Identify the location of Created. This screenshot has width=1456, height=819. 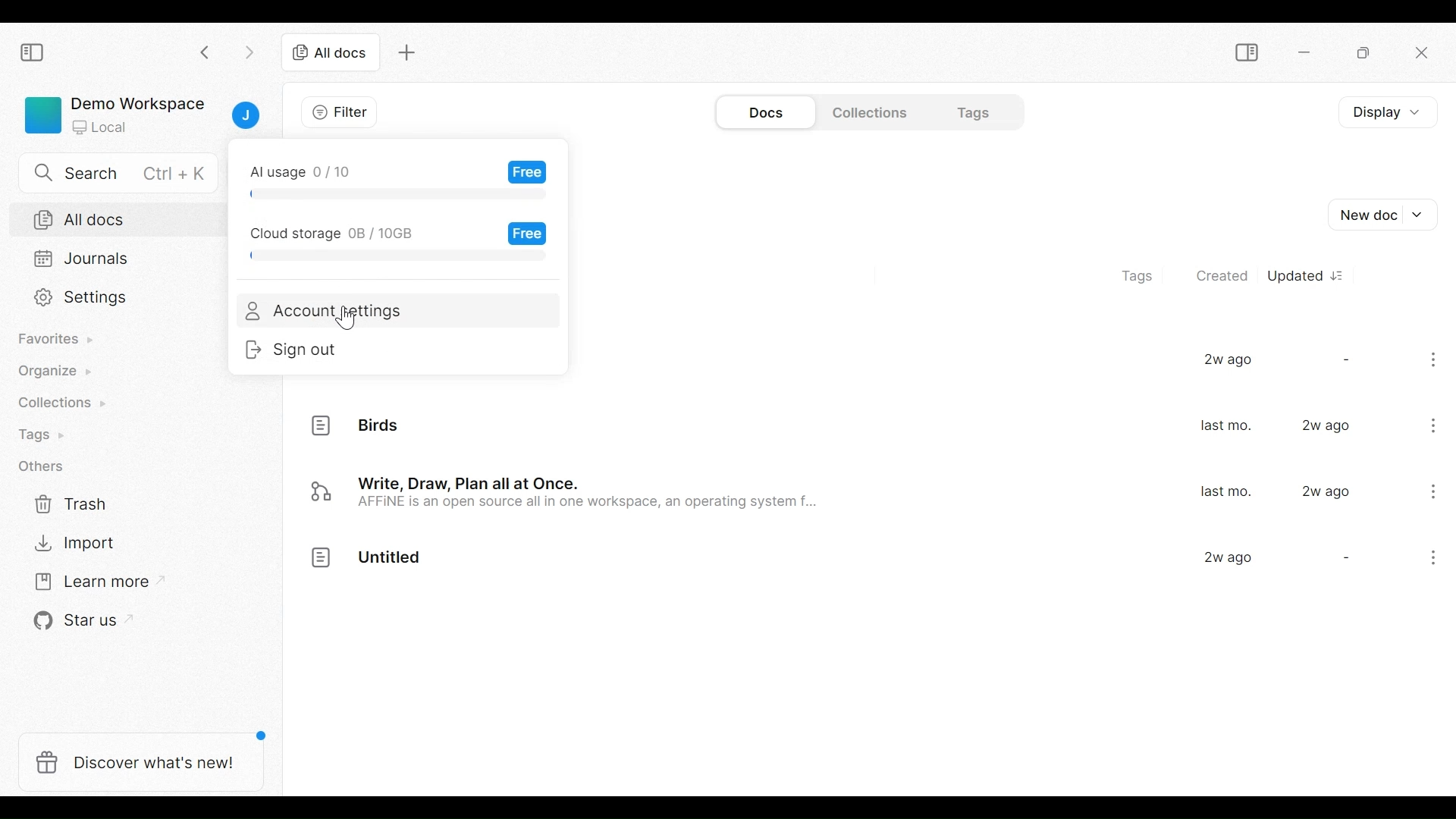
(1220, 273).